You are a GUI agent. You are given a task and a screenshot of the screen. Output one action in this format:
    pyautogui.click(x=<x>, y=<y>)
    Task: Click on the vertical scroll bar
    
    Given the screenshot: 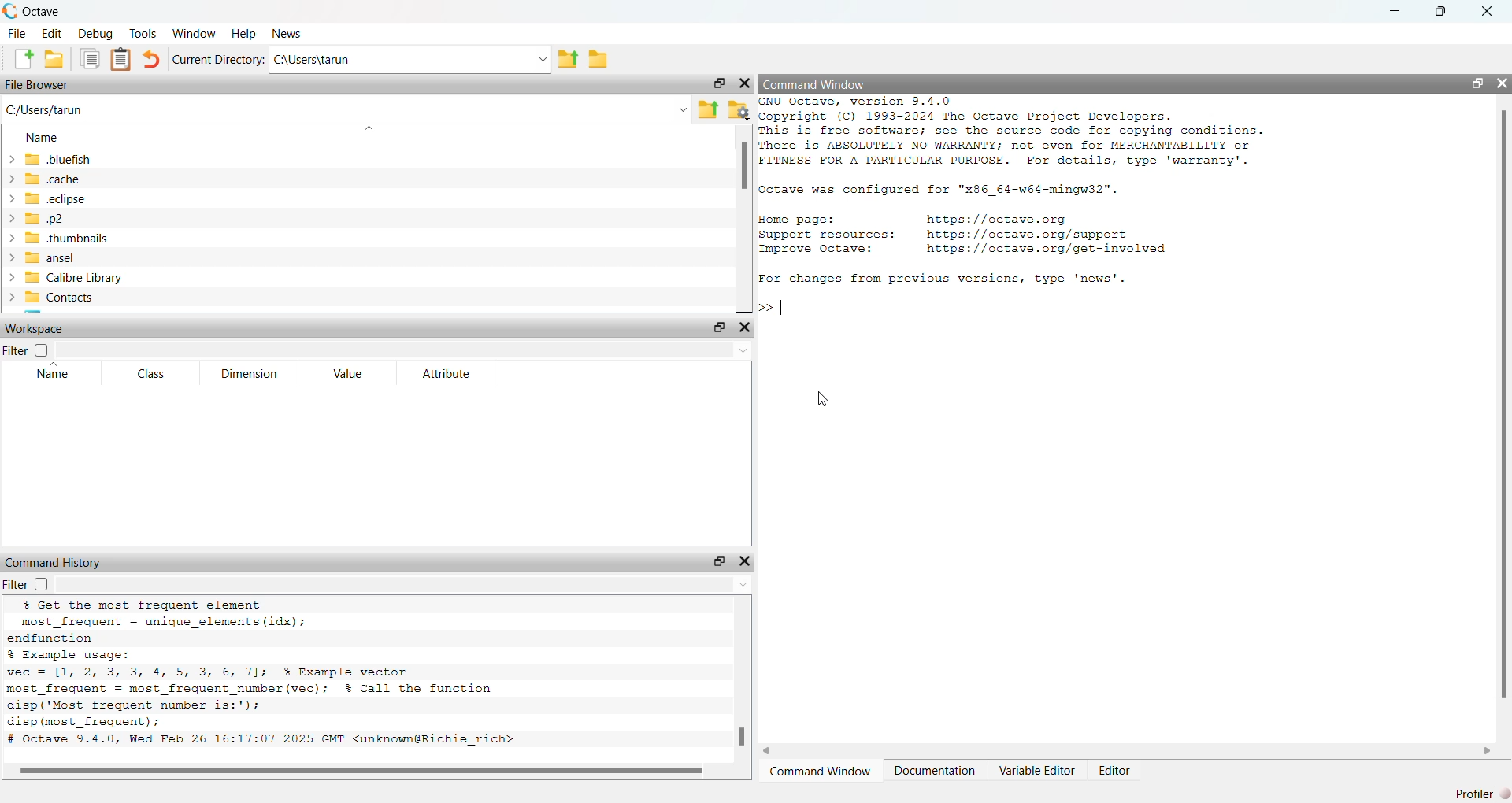 What is the action you would take?
    pyautogui.click(x=745, y=220)
    